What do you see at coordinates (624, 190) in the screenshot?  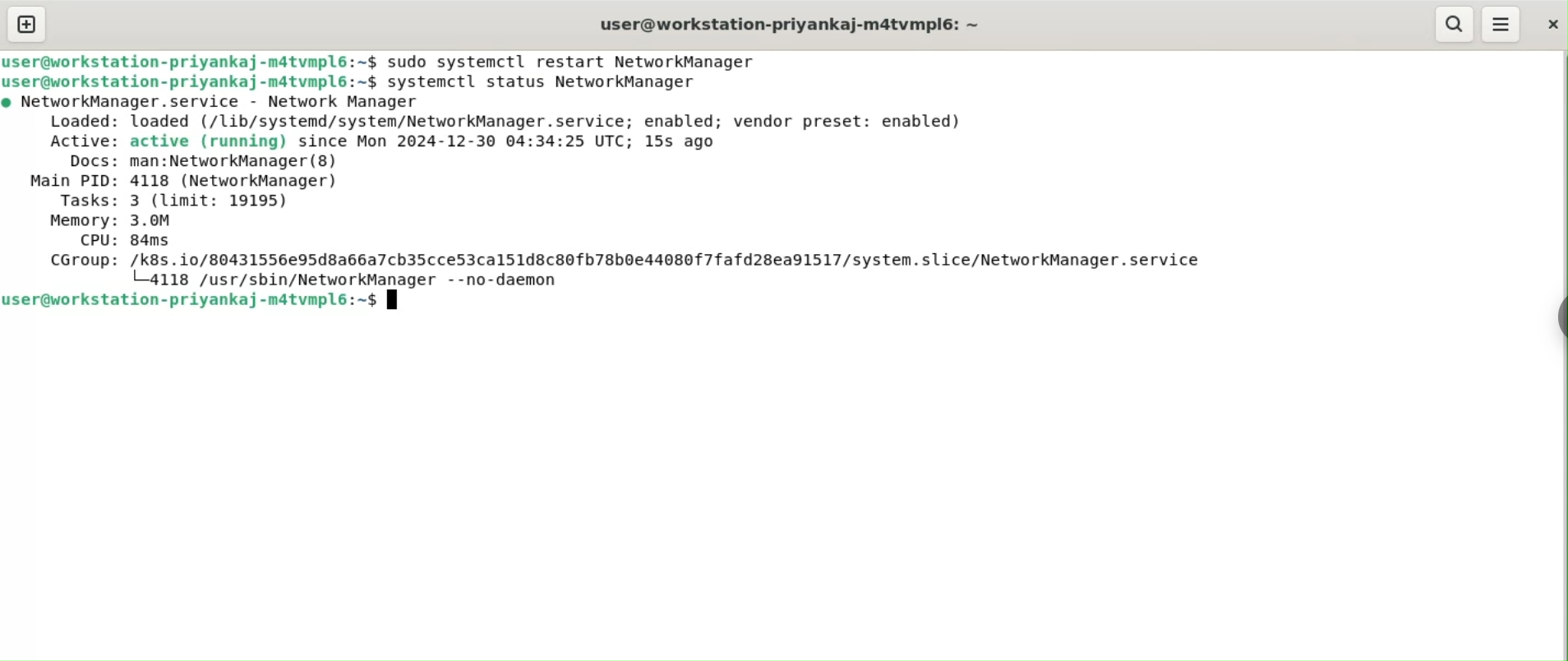 I see `» NetworkManager.service - Network Manager

Loaded: loaded (/lib/systemd/system/NetworkManager.service; enabled; vendor preset: enabled)

Active: active (running) since Mon 2024-12-30 04:34:25 UTC; 15s ago
Docs: man:NetworkManager(8)

Main PID: 4118 (NetworkManager)

Tasks: 3 (limit: 19195)

Memory: 3.0M
CPU: 84ms

CGroup: /k8s.io/80431556e95d8a66a7cb35cce53cal51d8c80fb78boed4080f7fafd28ead1517/system.slice/NetworkManager.service

L4118 /usr/sbin/NetworkManager --no-daemon` at bounding box center [624, 190].